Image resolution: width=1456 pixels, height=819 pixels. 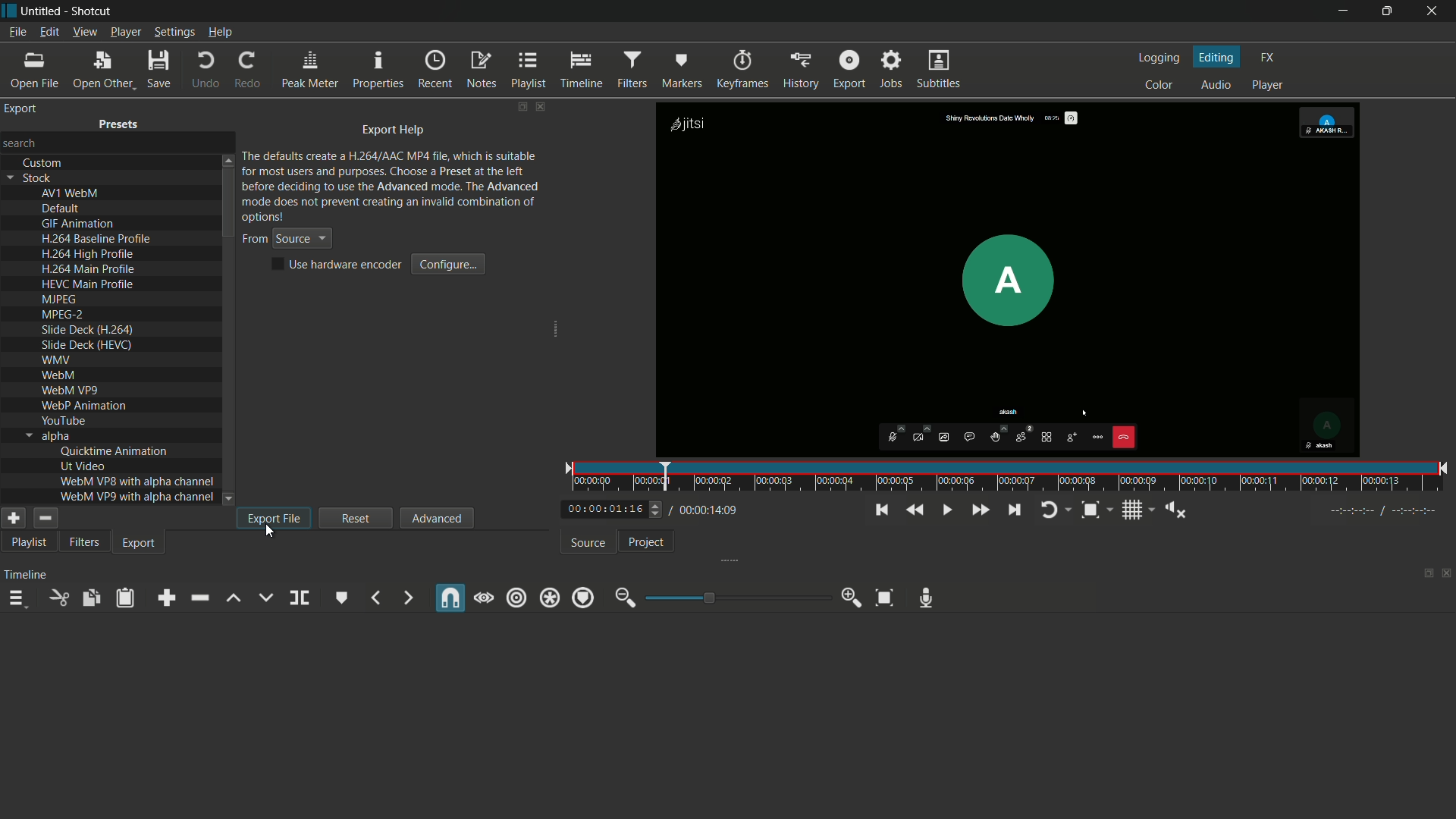 I want to click on play quickly backward, so click(x=912, y=510).